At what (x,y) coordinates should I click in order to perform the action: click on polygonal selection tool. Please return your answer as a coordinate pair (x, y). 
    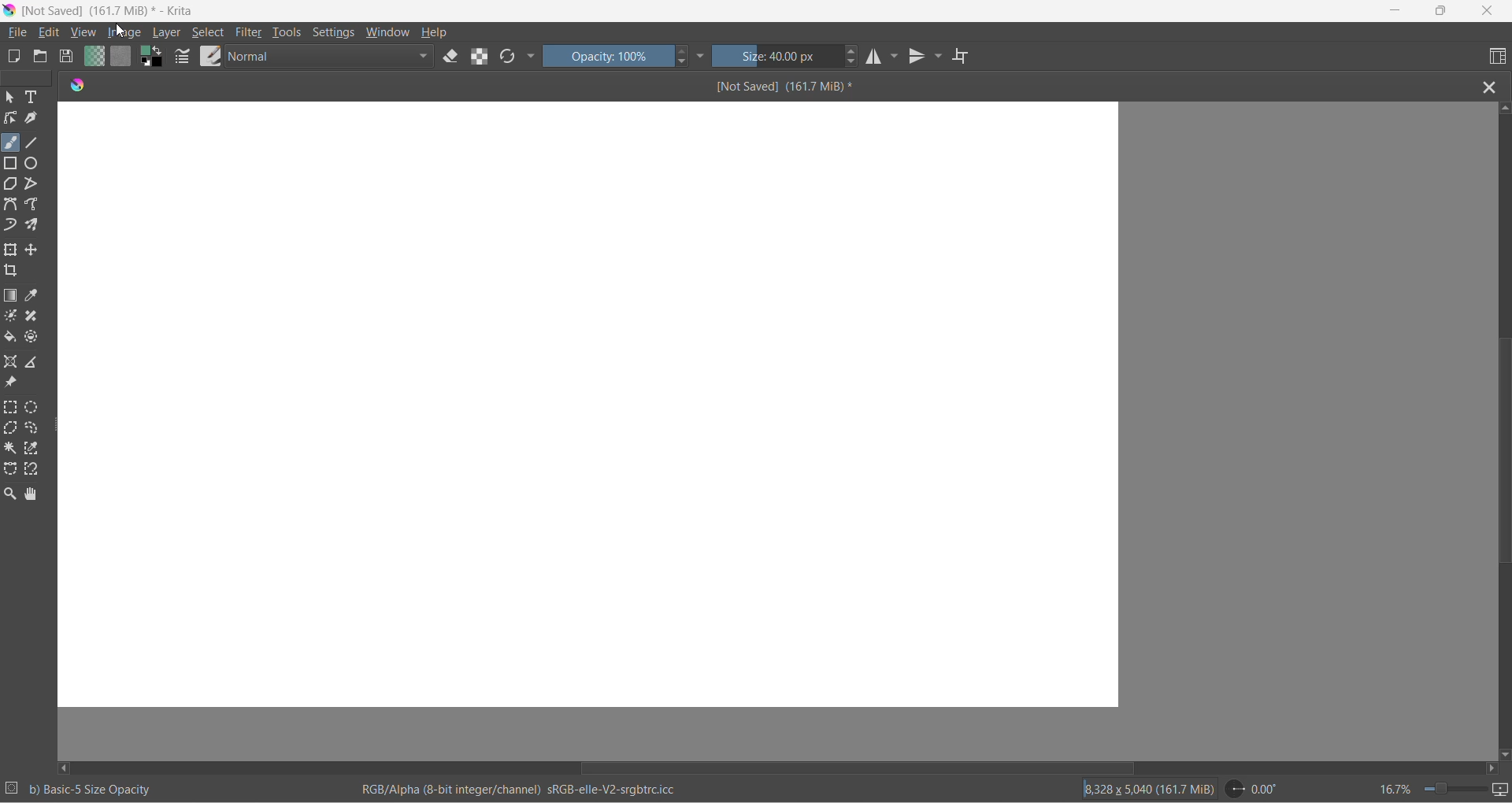
    Looking at the image, I should click on (12, 430).